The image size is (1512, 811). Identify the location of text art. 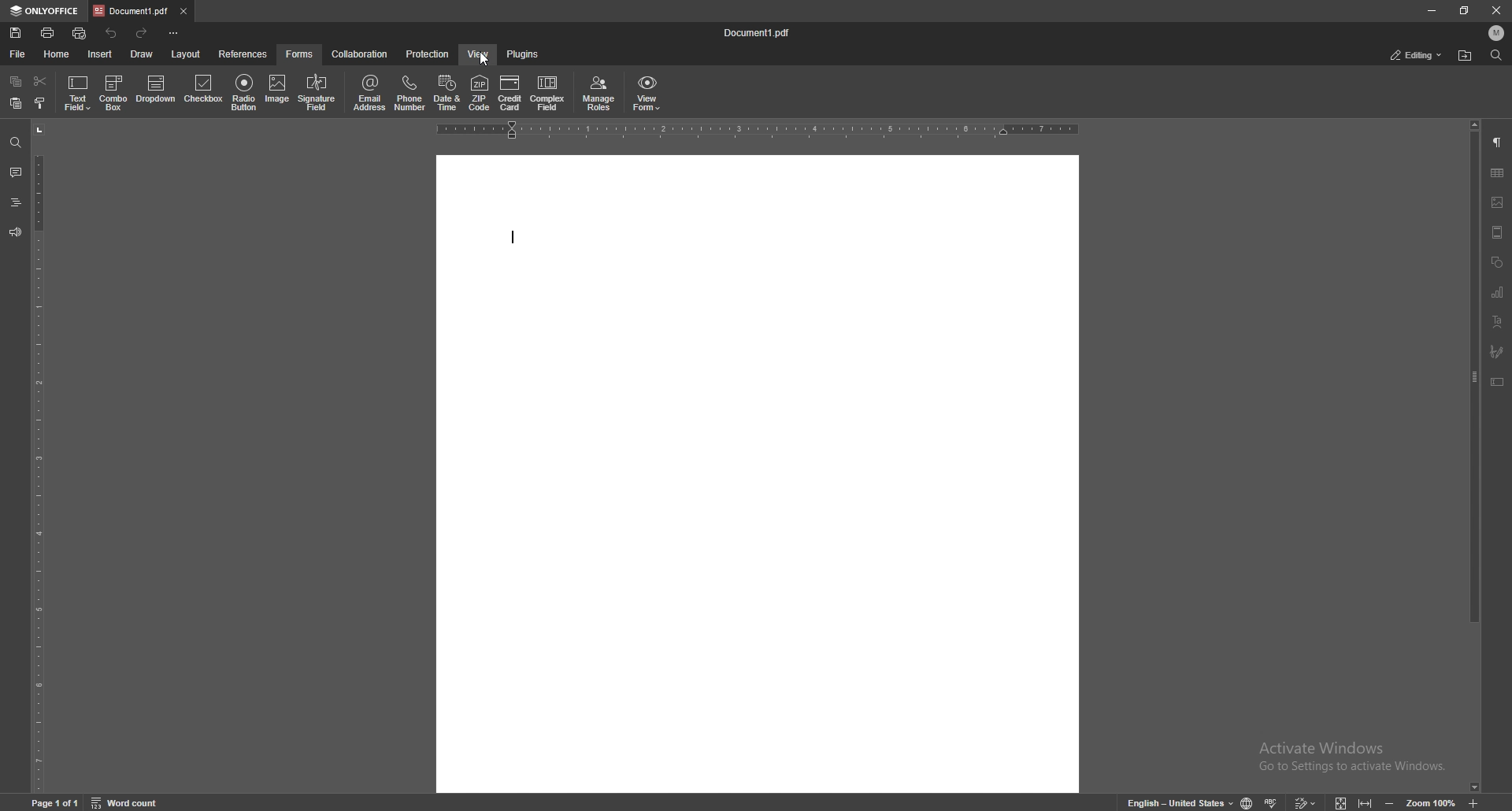
(1497, 322).